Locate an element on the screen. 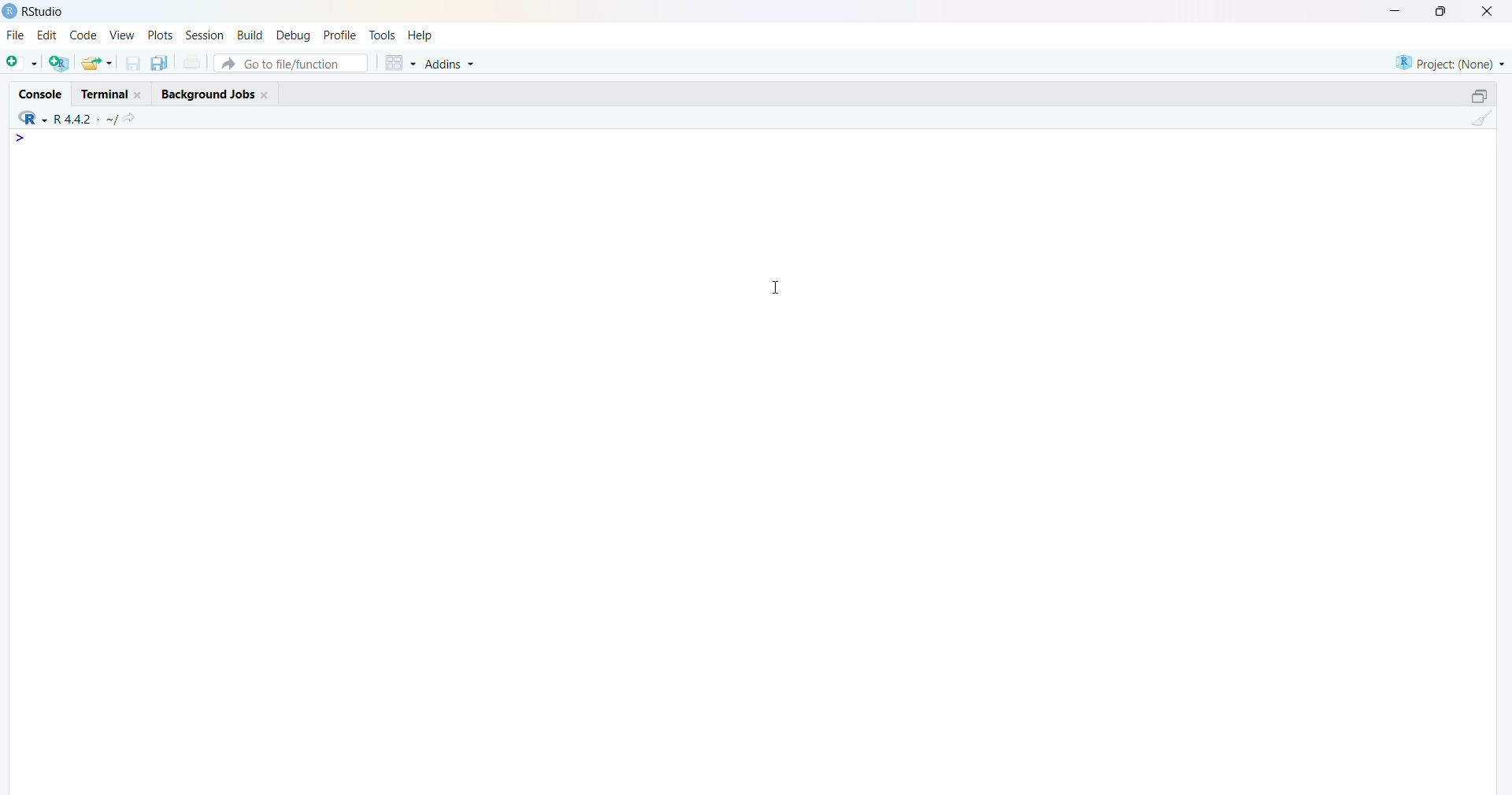 This screenshot has height=795, width=1512. close is located at coordinates (1490, 11).